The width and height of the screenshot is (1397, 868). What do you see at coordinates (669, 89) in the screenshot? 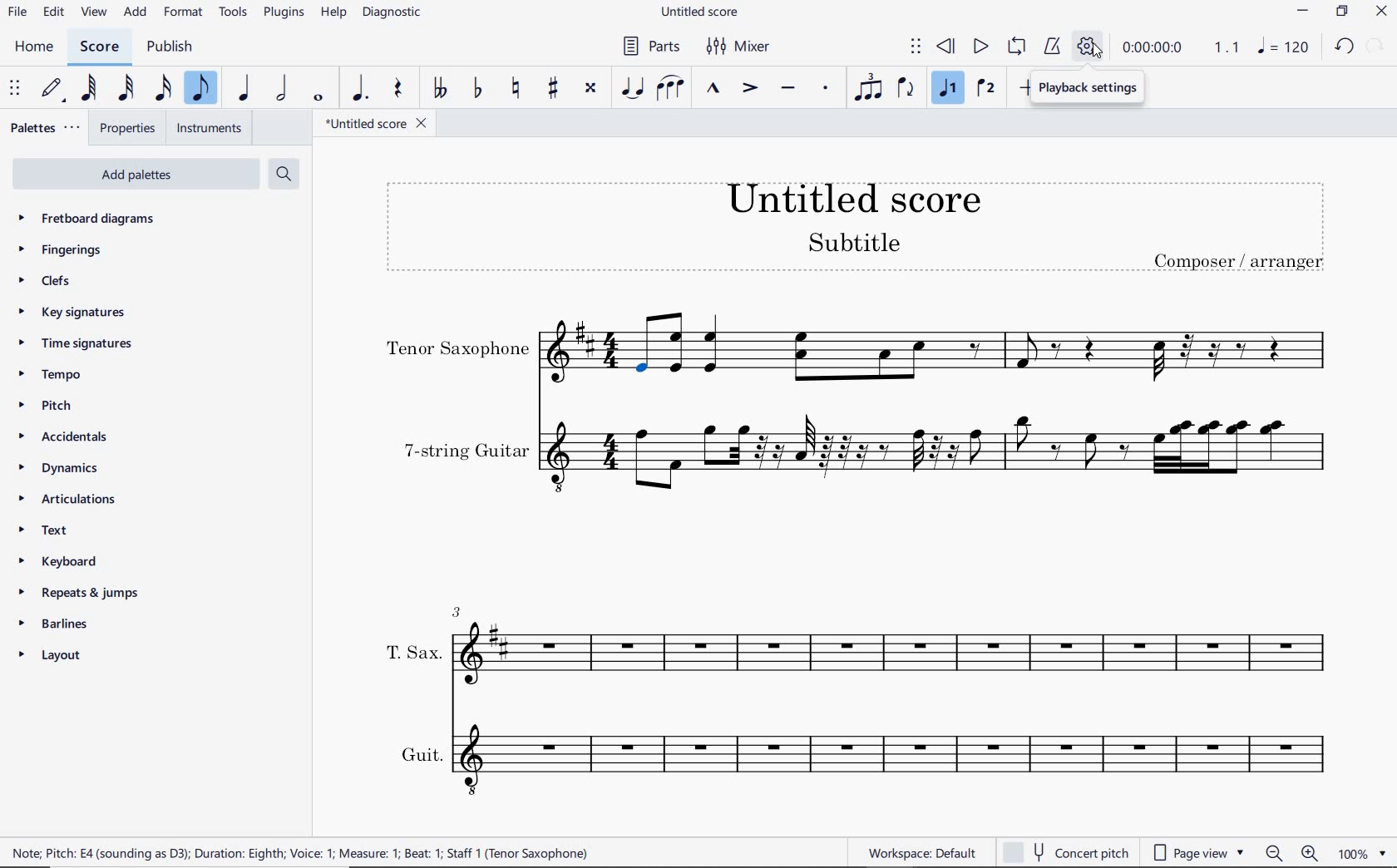
I see `SLUR` at bounding box center [669, 89].